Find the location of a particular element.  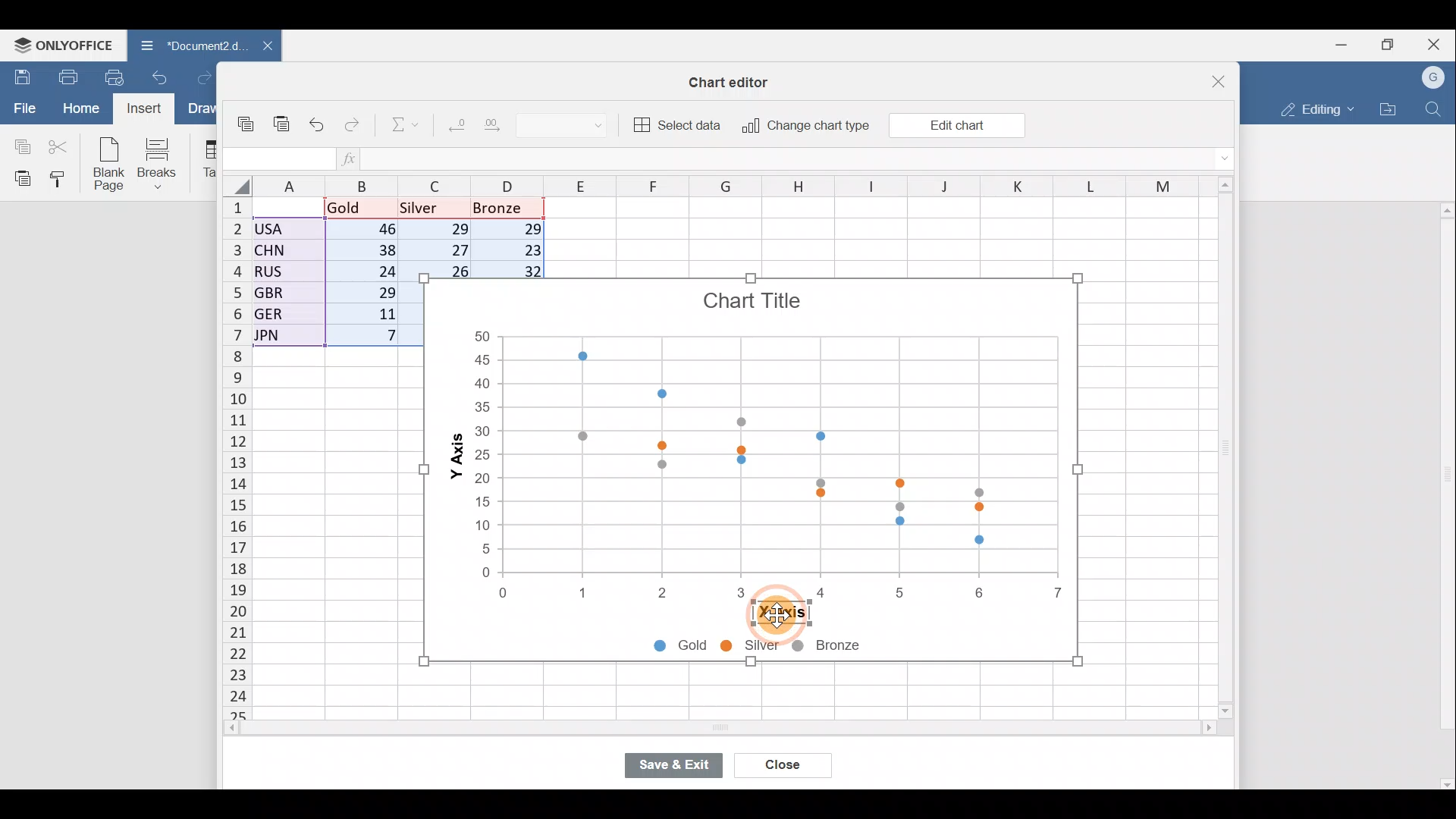

Summation is located at coordinates (397, 127).